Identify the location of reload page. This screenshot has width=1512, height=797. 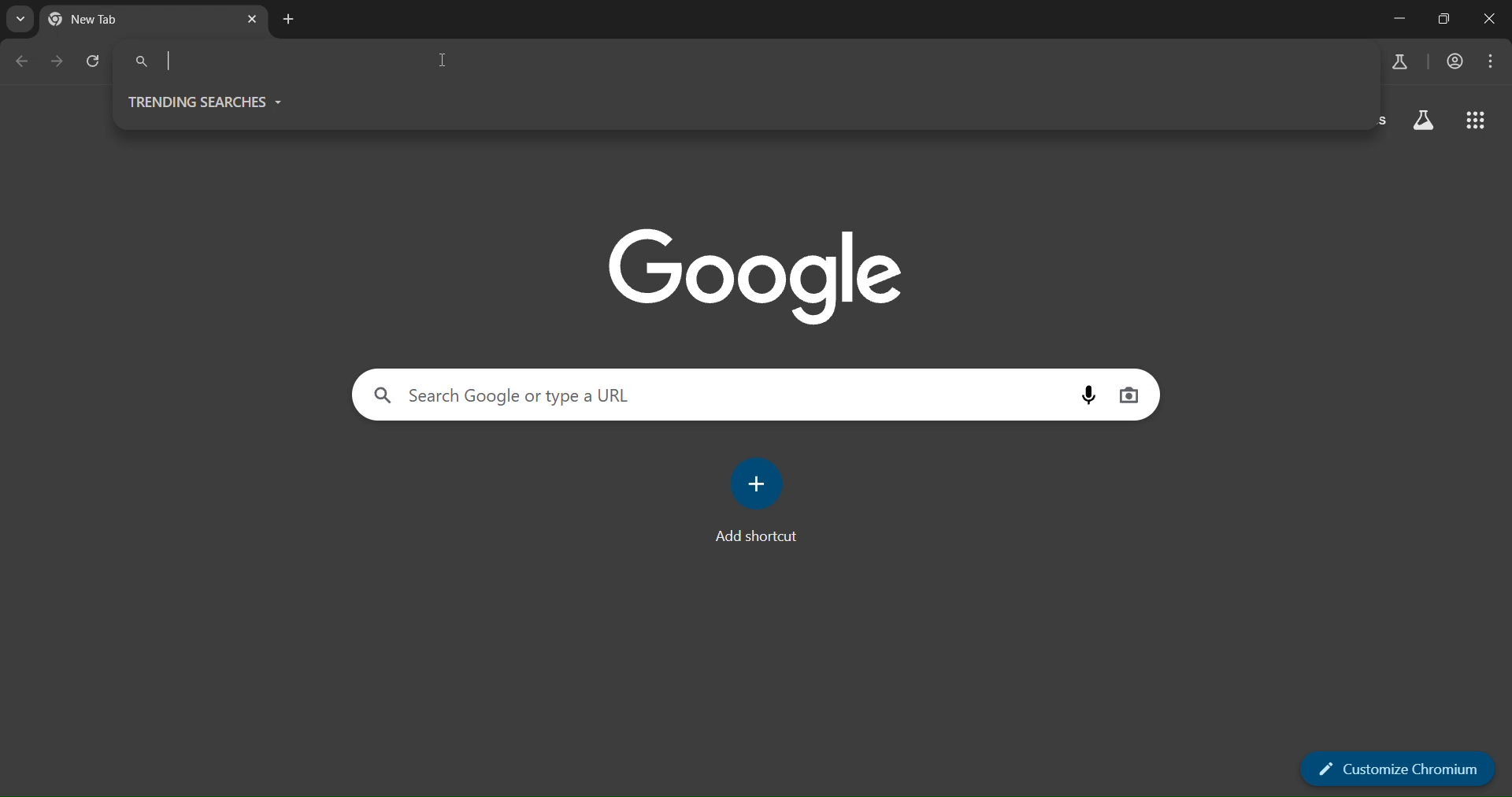
(93, 64).